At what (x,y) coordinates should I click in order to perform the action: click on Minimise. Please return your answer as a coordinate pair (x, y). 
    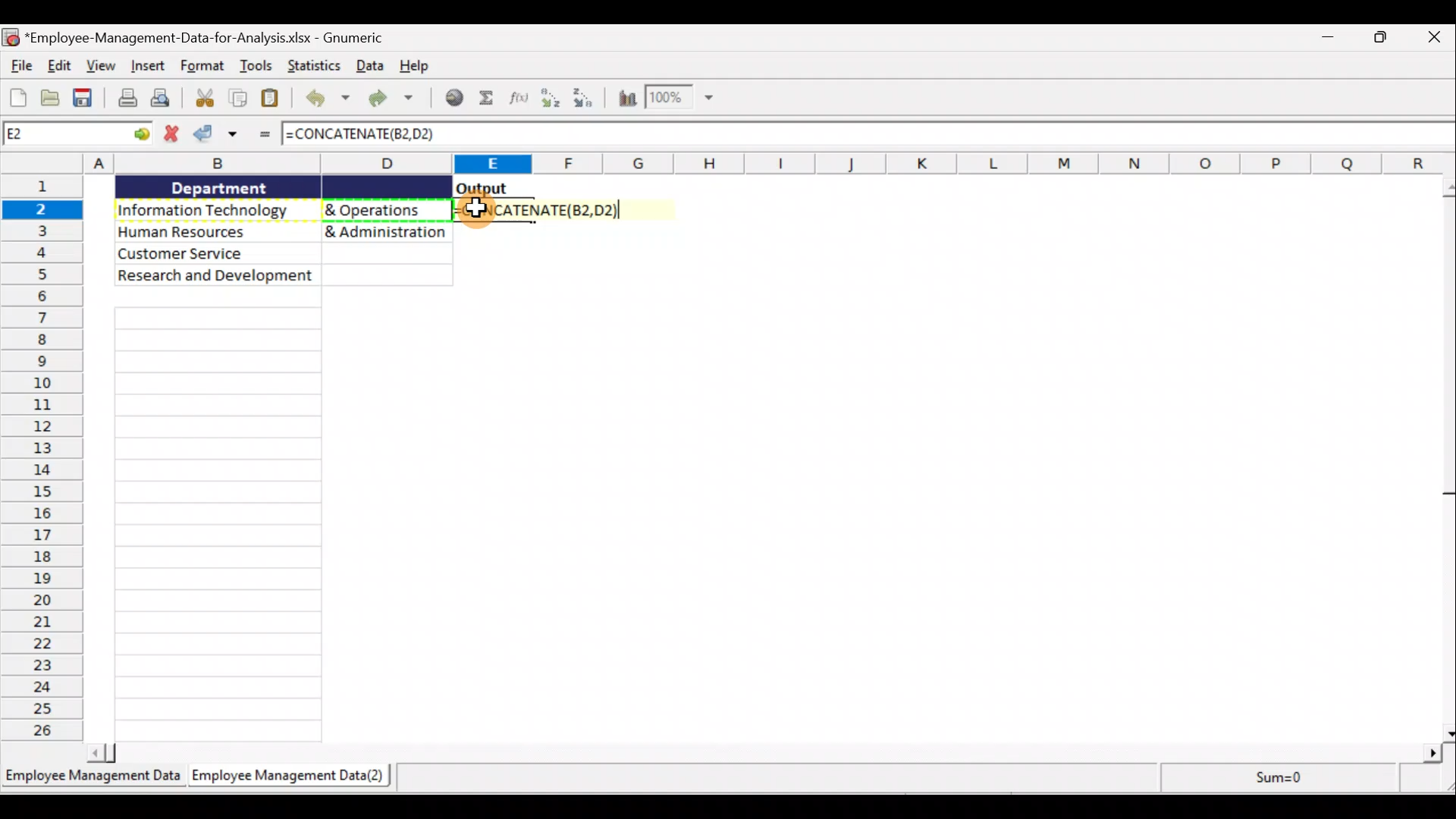
    Looking at the image, I should click on (1331, 42).